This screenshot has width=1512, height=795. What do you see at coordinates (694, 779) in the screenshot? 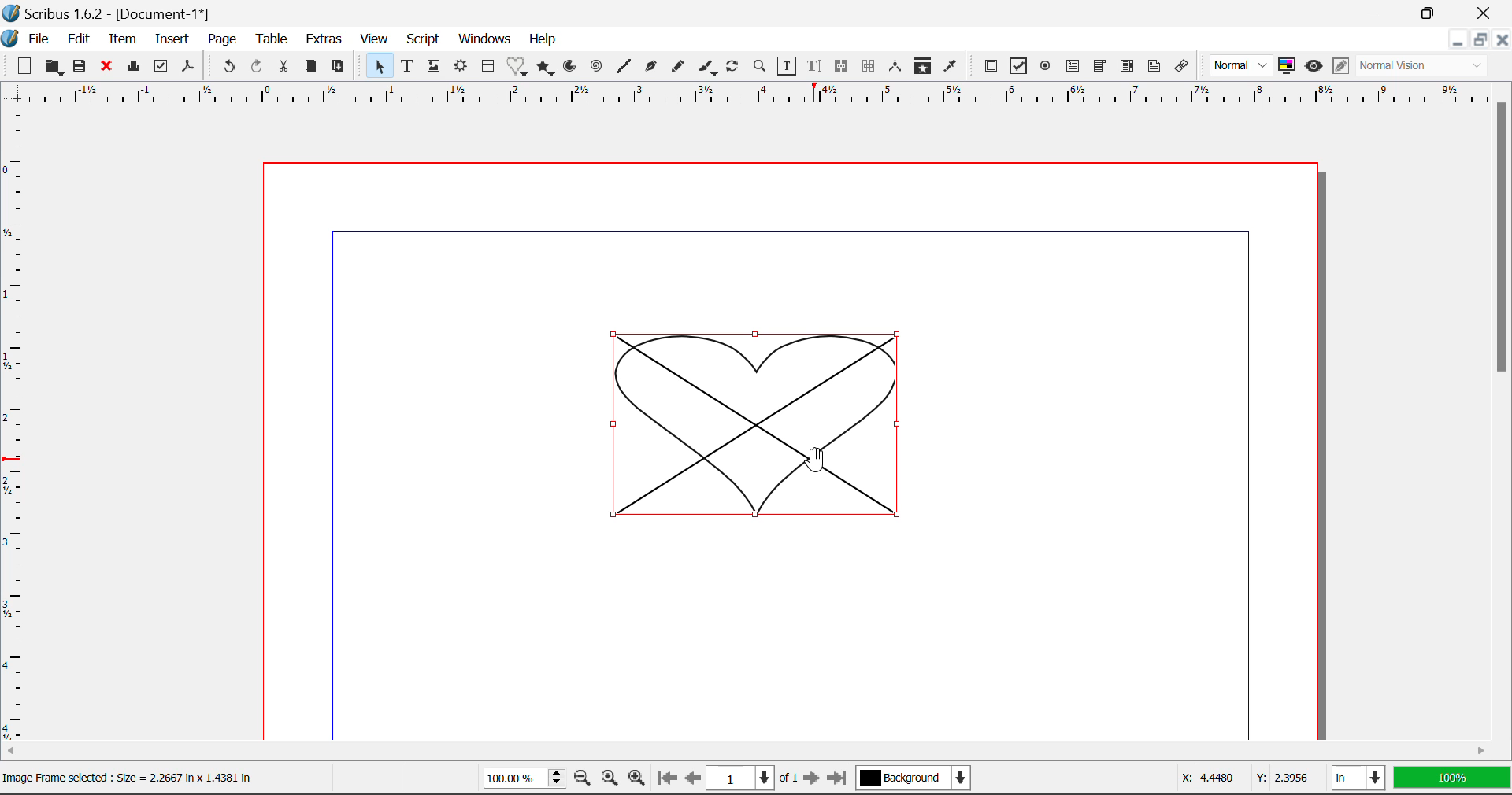
I see `Previous` at bounding box center [694, 779].